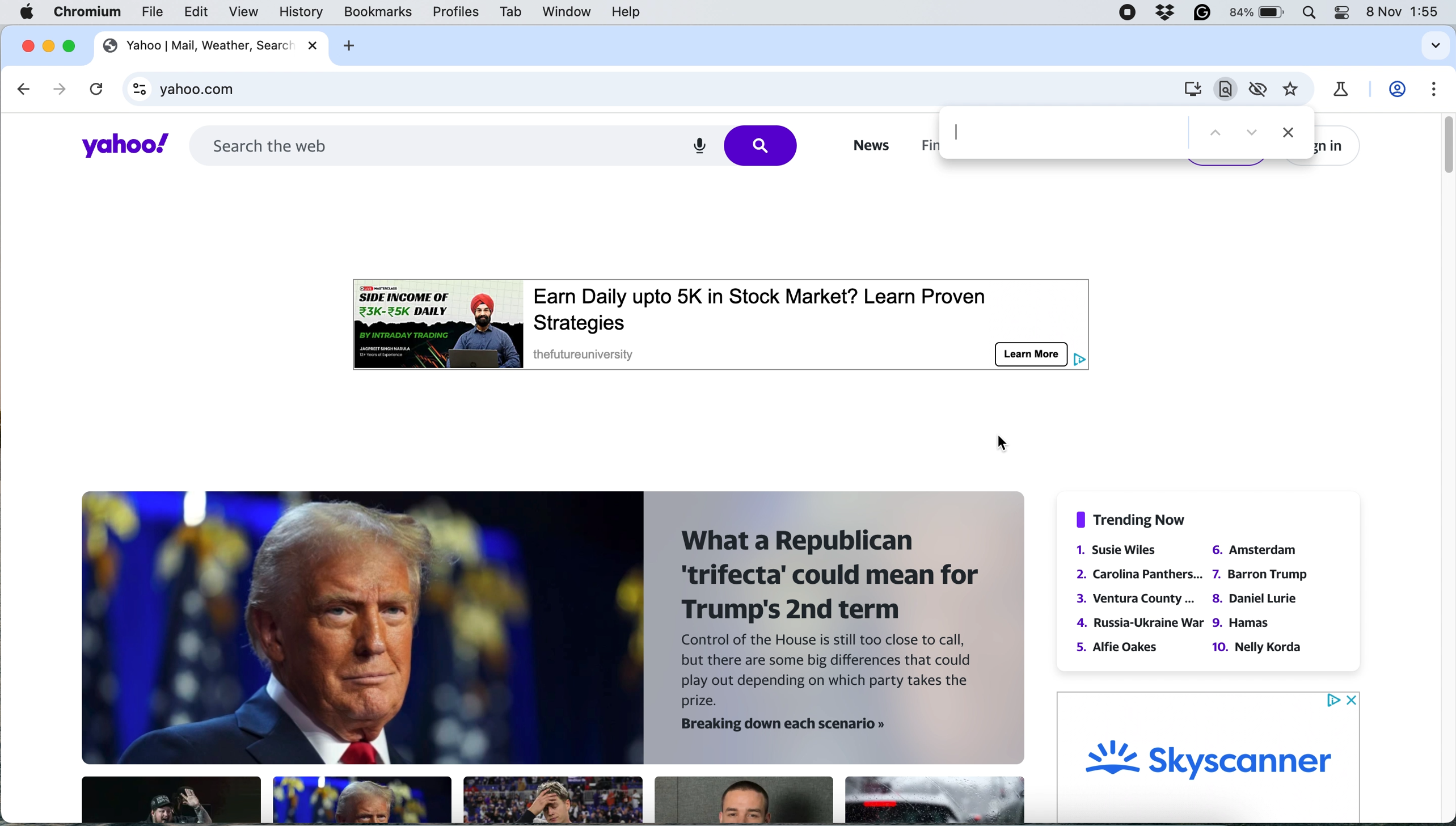  I want to click on view, so click(243, 12).